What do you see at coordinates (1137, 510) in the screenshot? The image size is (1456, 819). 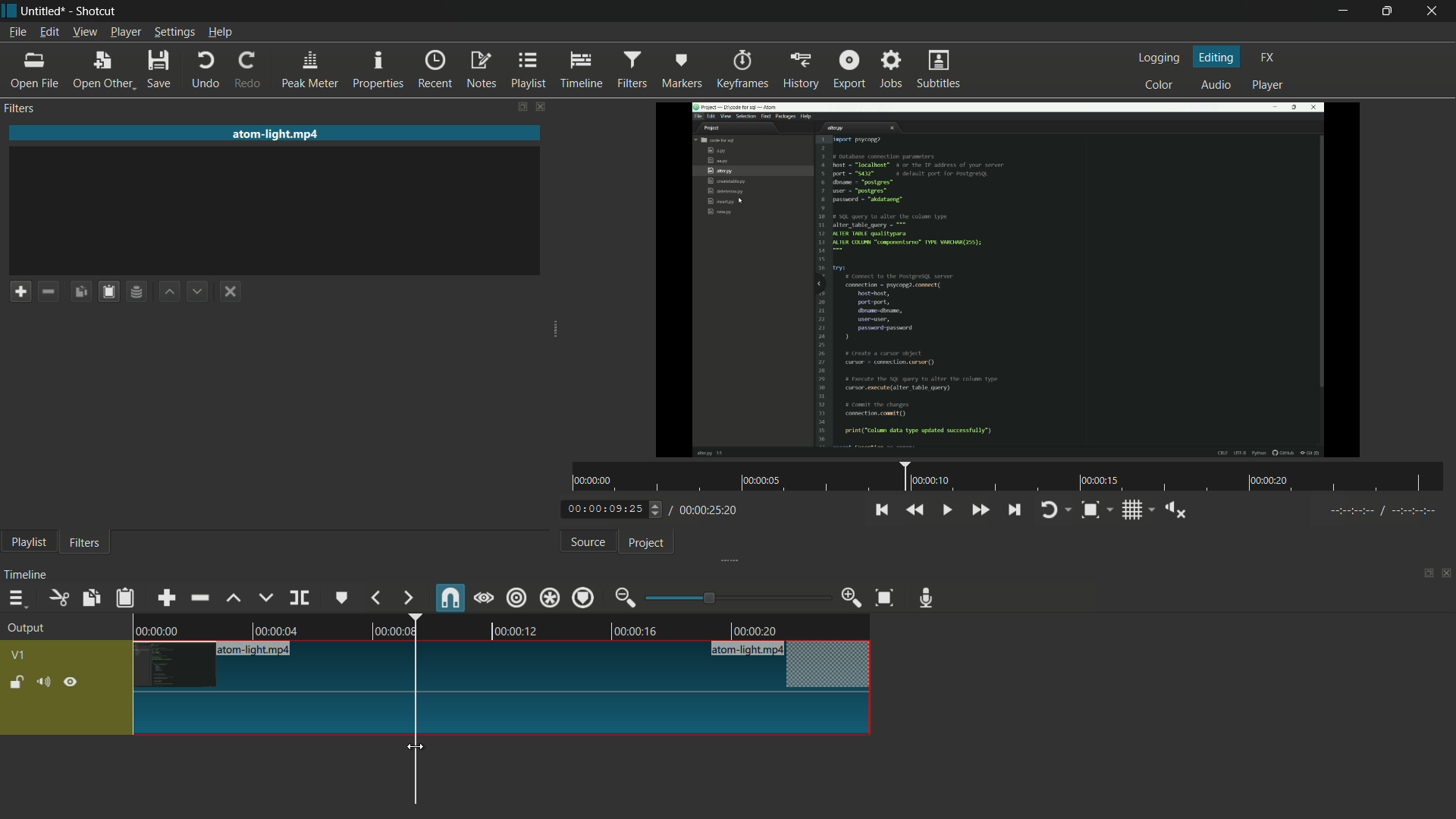 I see `toggle grid` at bounding box center [1137, 510].